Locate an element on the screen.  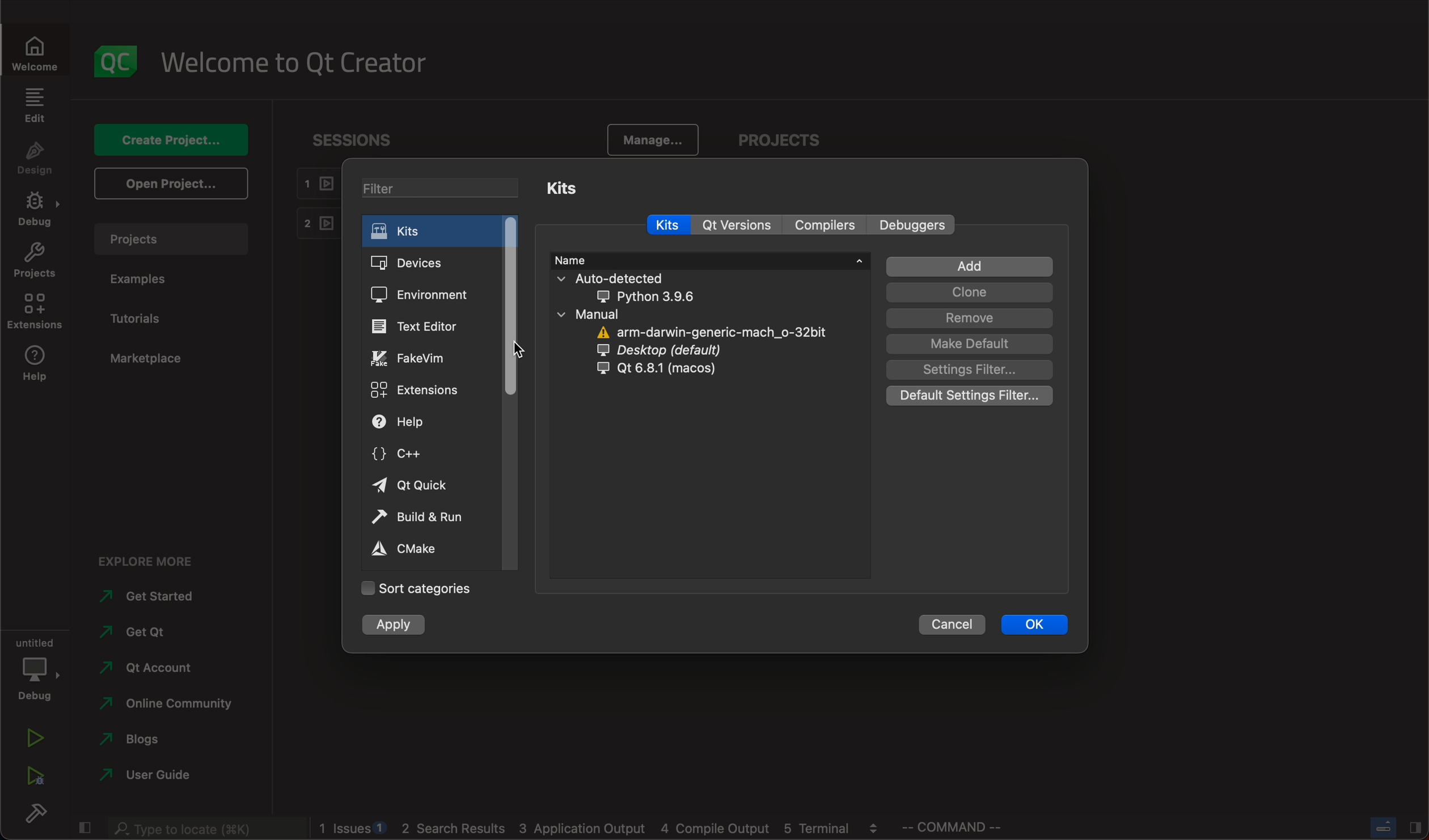
remove is located at coordinates (966, 320).